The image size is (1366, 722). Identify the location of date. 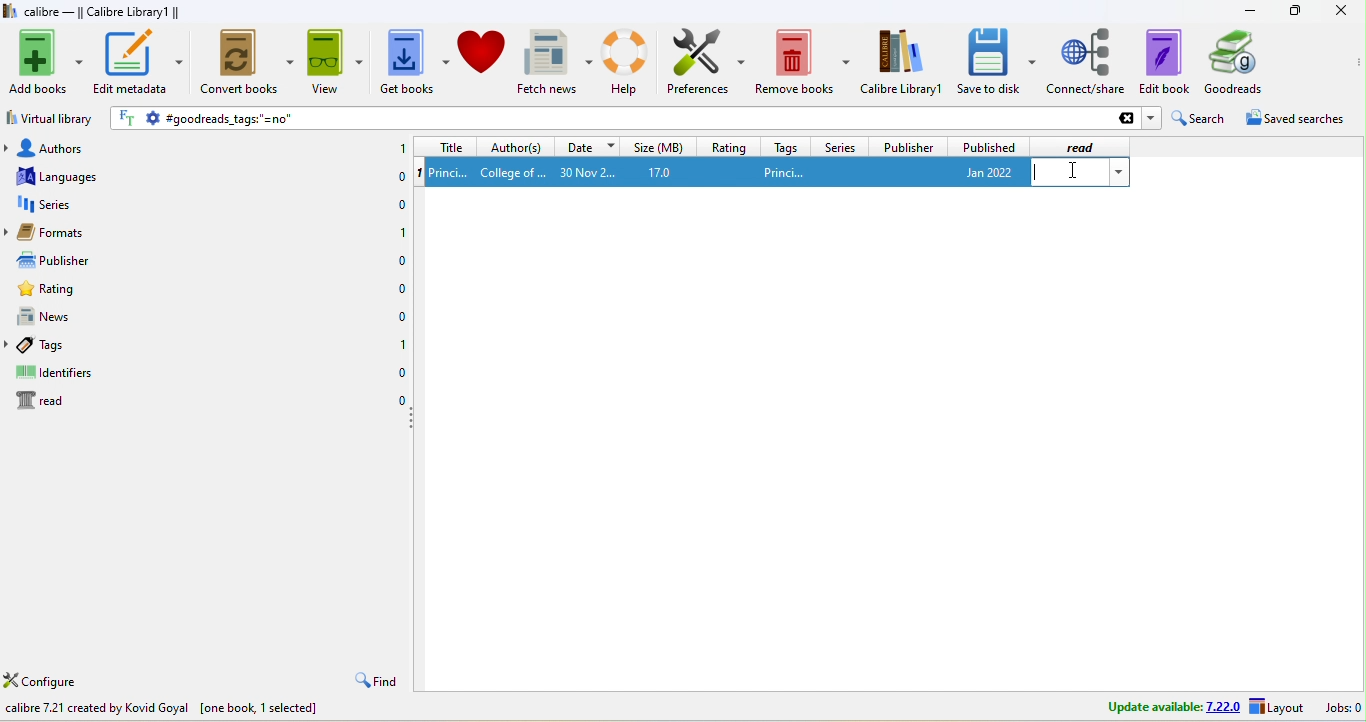
(586, 147).